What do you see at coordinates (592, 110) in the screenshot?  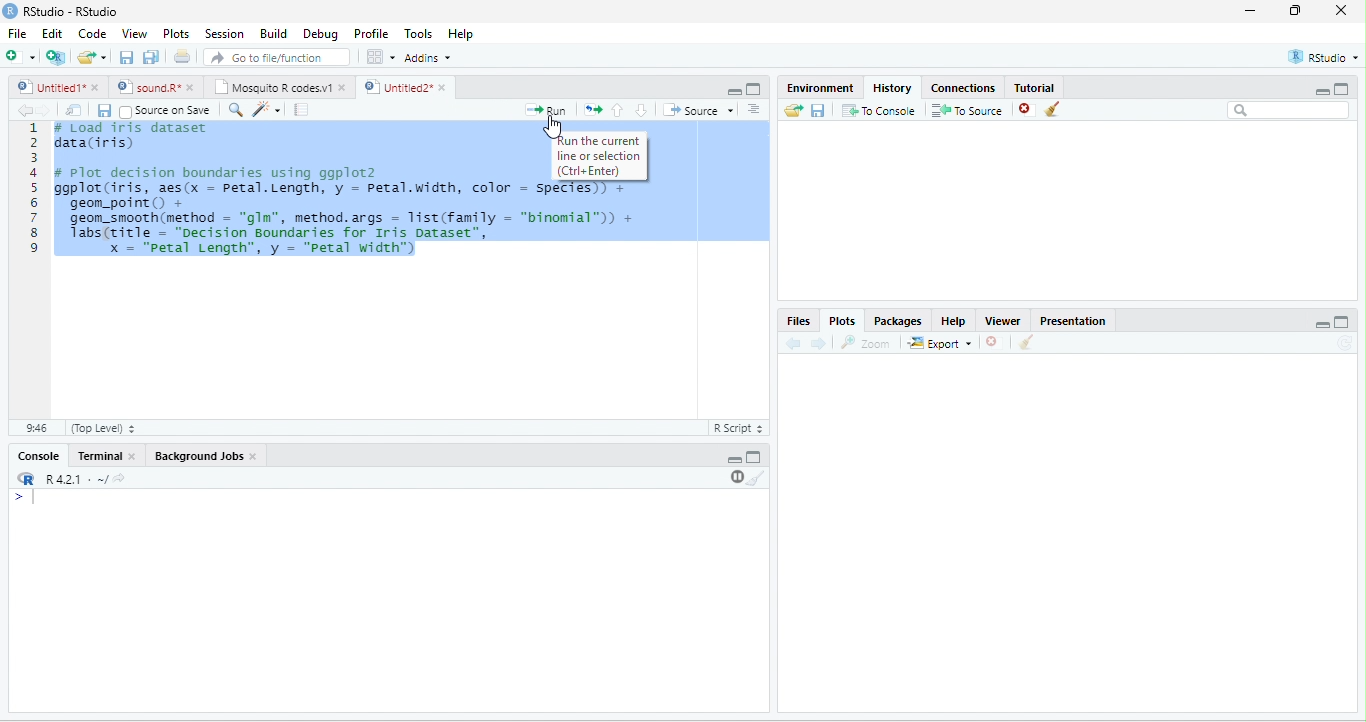 I see `rerun` at bounding box center [592, 110].